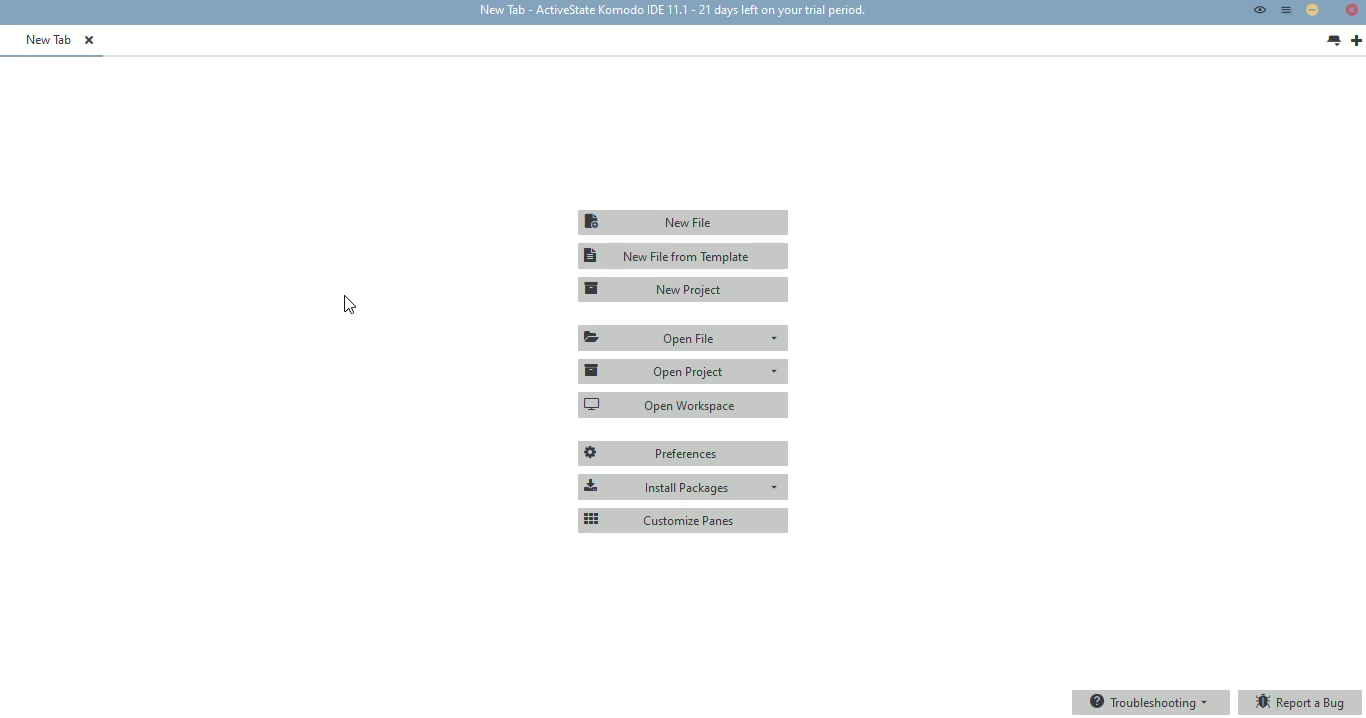 The image size is (1366, 718). Describe the element at coordinates (684, 404) in the screenshot. I see `open workspace` at that location.